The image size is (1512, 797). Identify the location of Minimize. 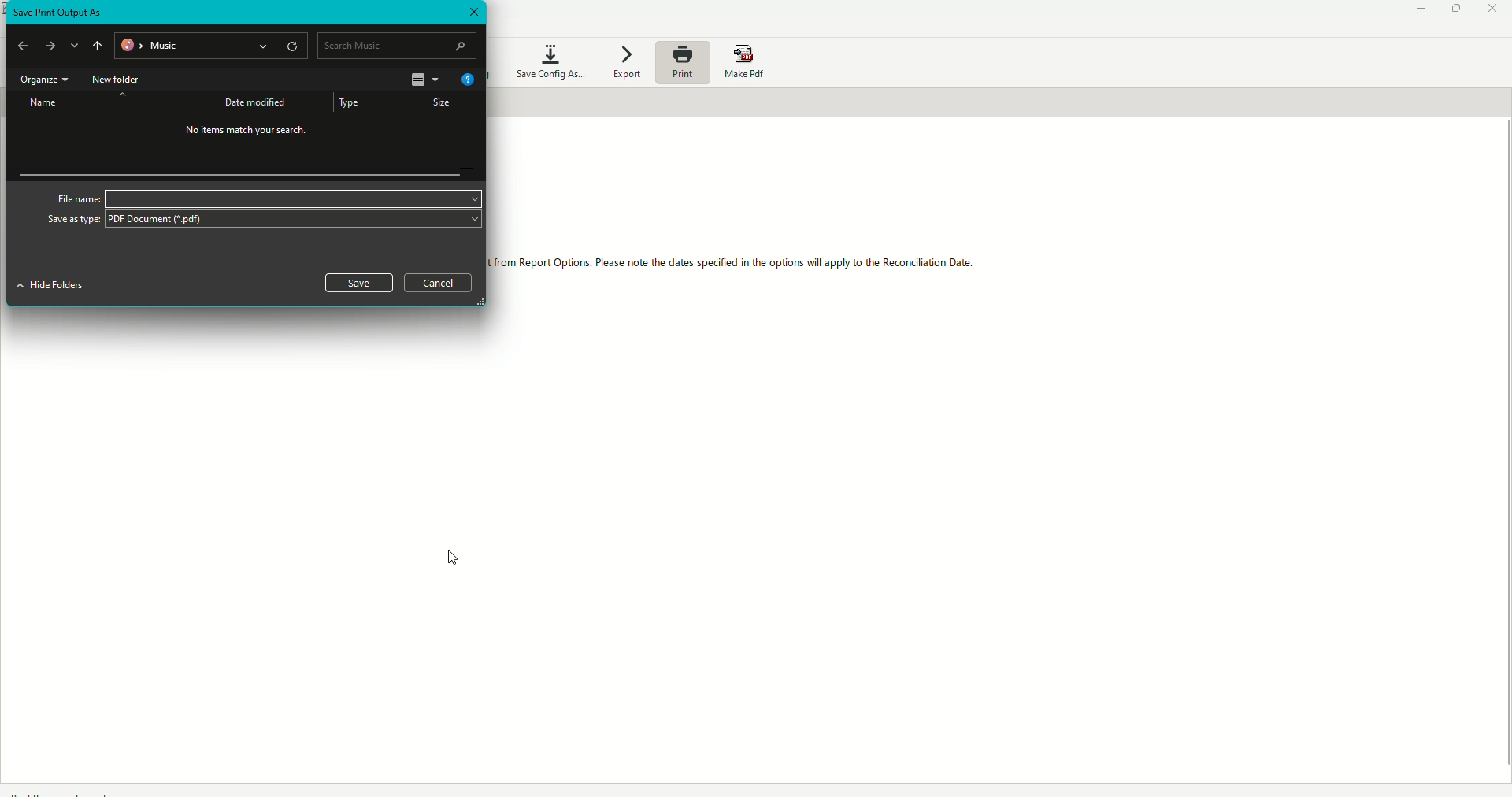
(1413, 10).